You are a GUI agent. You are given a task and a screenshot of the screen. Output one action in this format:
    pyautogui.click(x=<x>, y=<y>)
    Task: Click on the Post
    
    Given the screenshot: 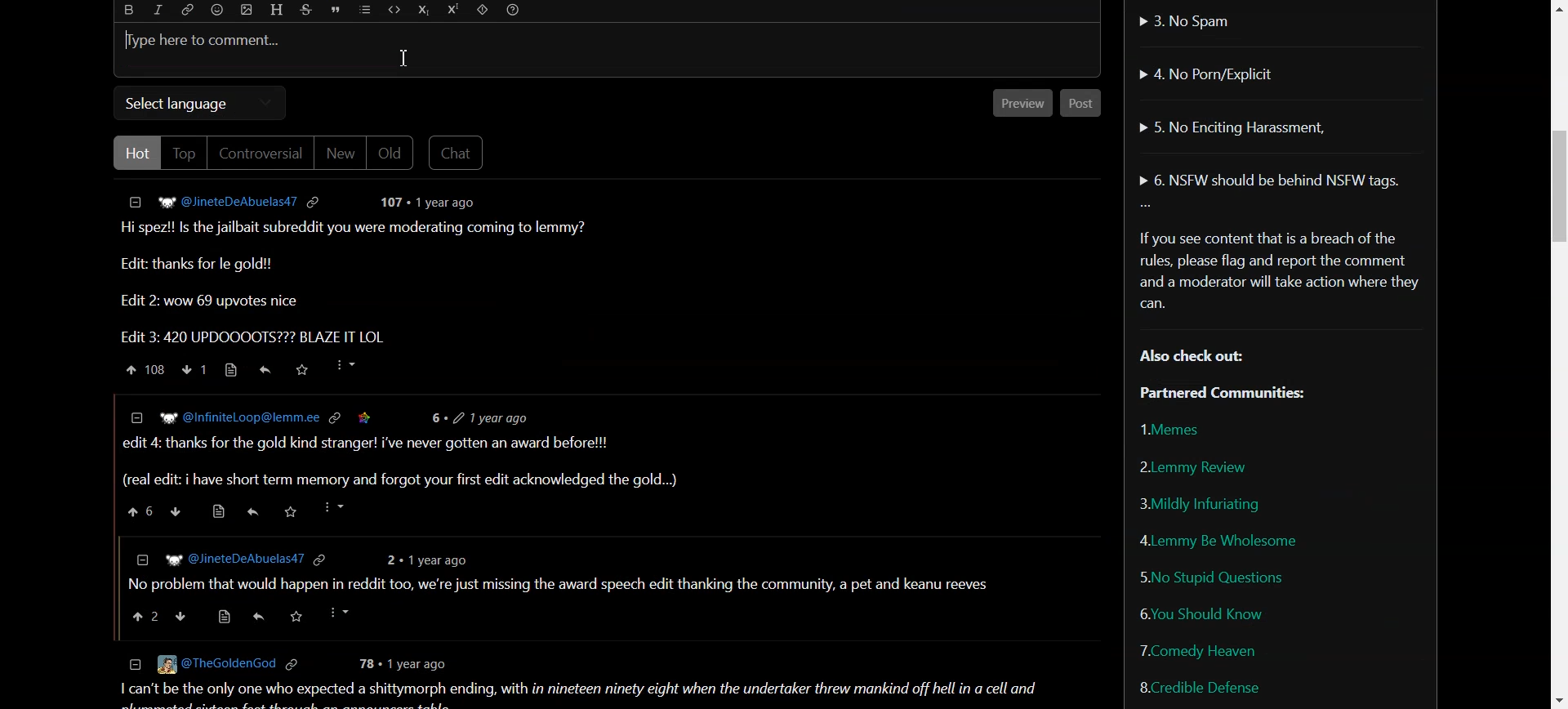 What is the action you would take?
    pyautogui.click(x=590, y=445)
    